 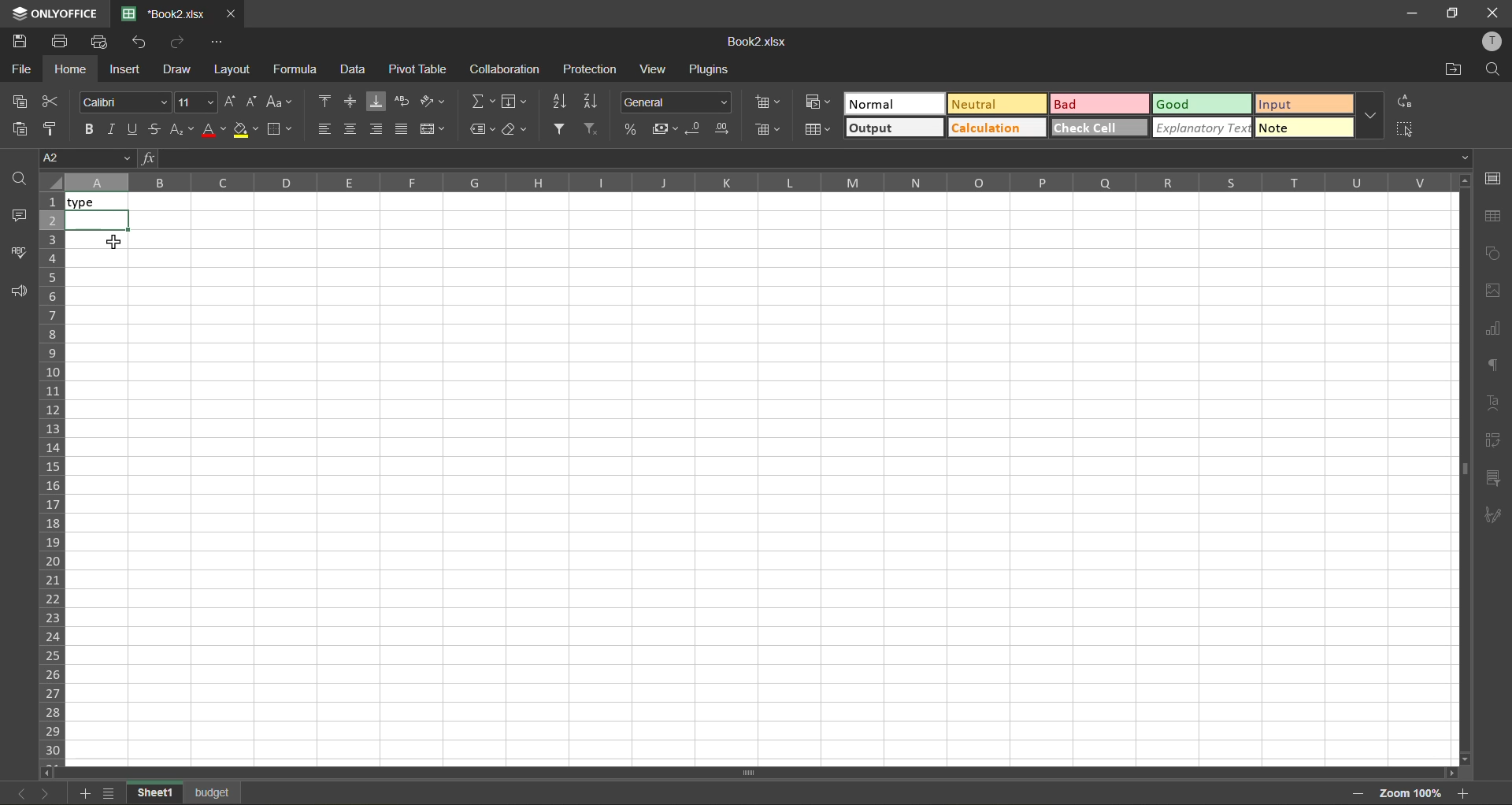 What do you see at coordinates (818, 101) in the screenshot?
I see `conditional formatting ` at bounding box center [818, 101].